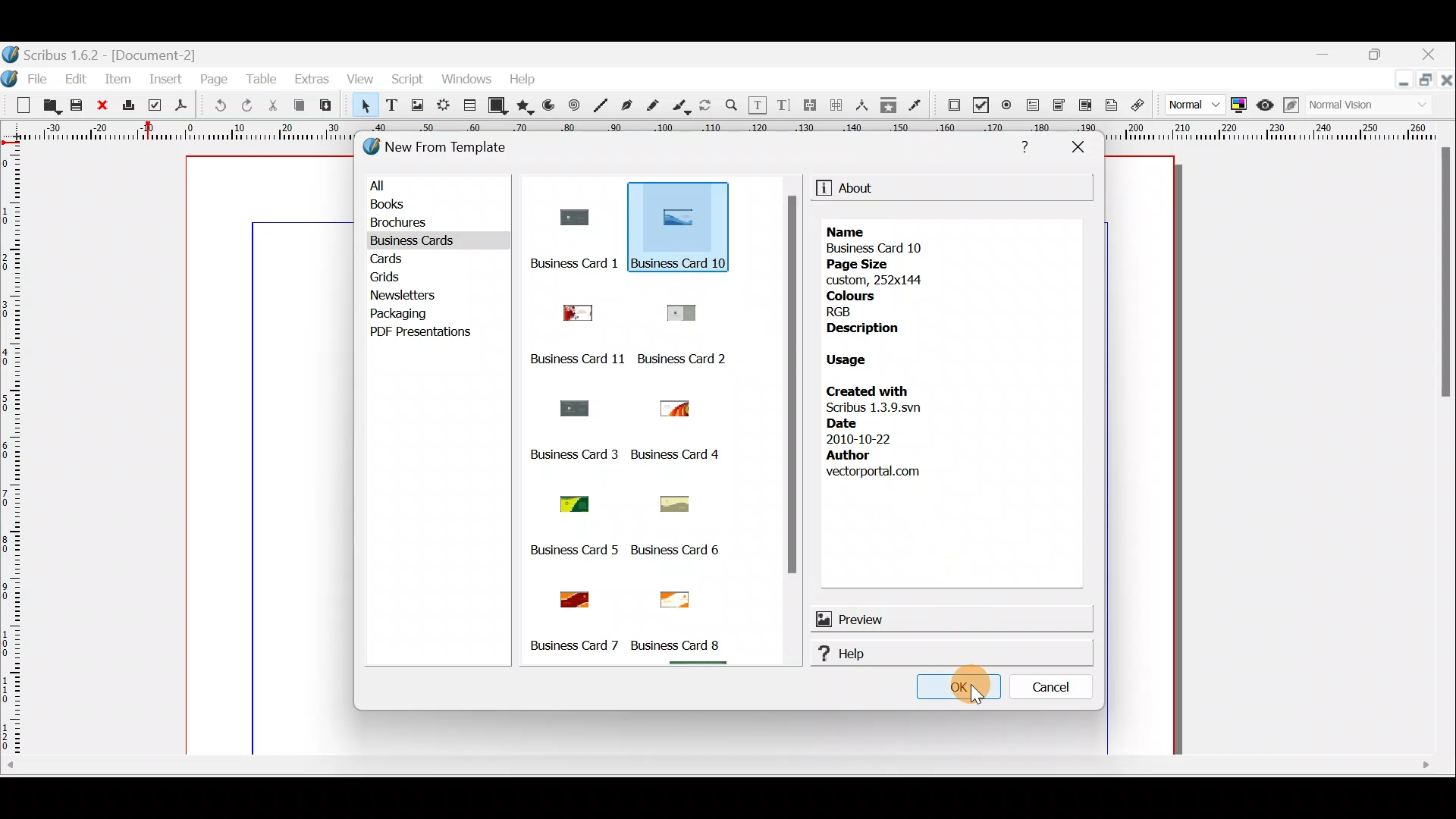  I want to click on Business Card 3, so click(572, 454).